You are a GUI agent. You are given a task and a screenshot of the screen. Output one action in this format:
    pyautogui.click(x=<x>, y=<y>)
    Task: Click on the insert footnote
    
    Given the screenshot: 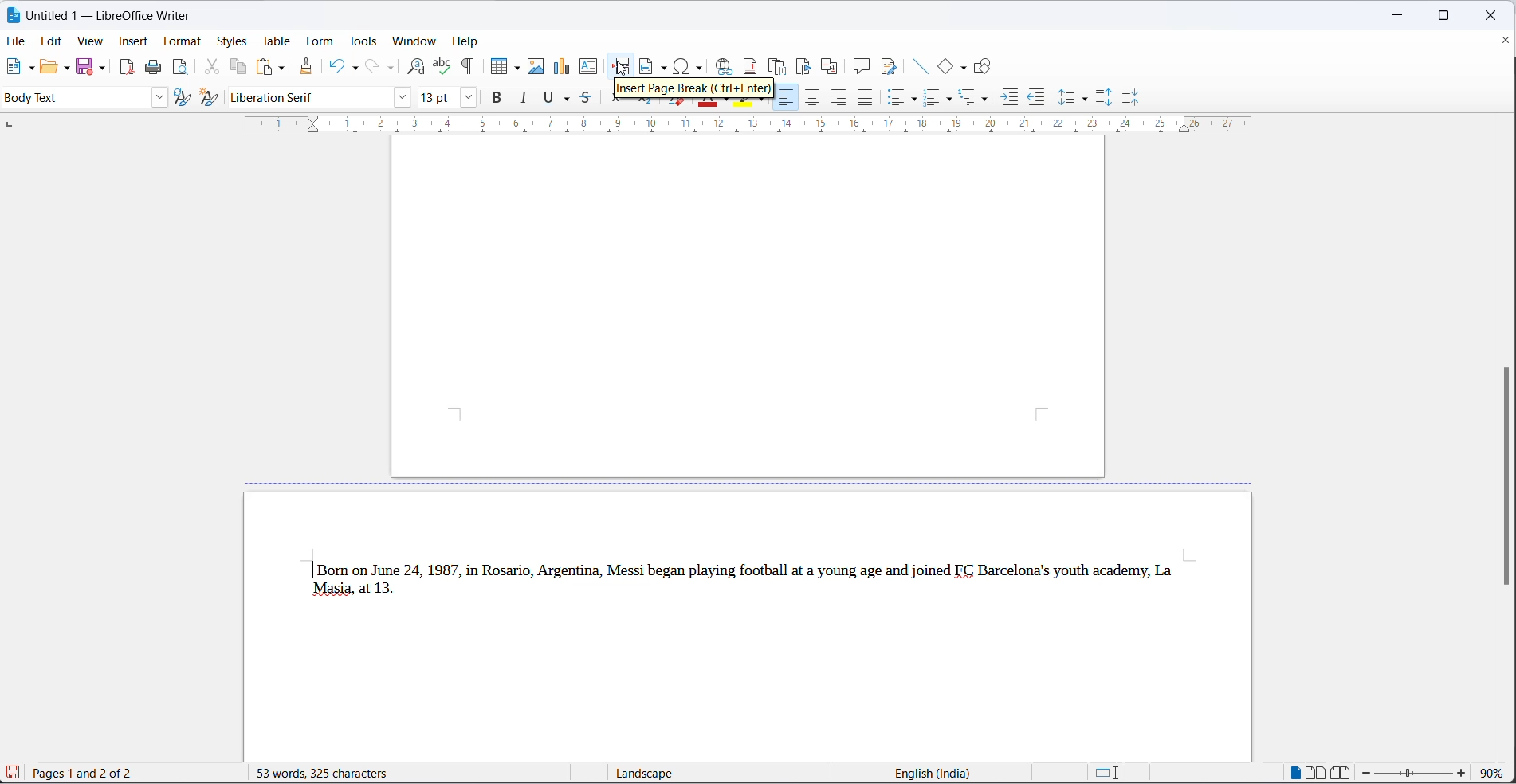 What is the action you would take?
    pyautogui.click(x=751, y=66)
    